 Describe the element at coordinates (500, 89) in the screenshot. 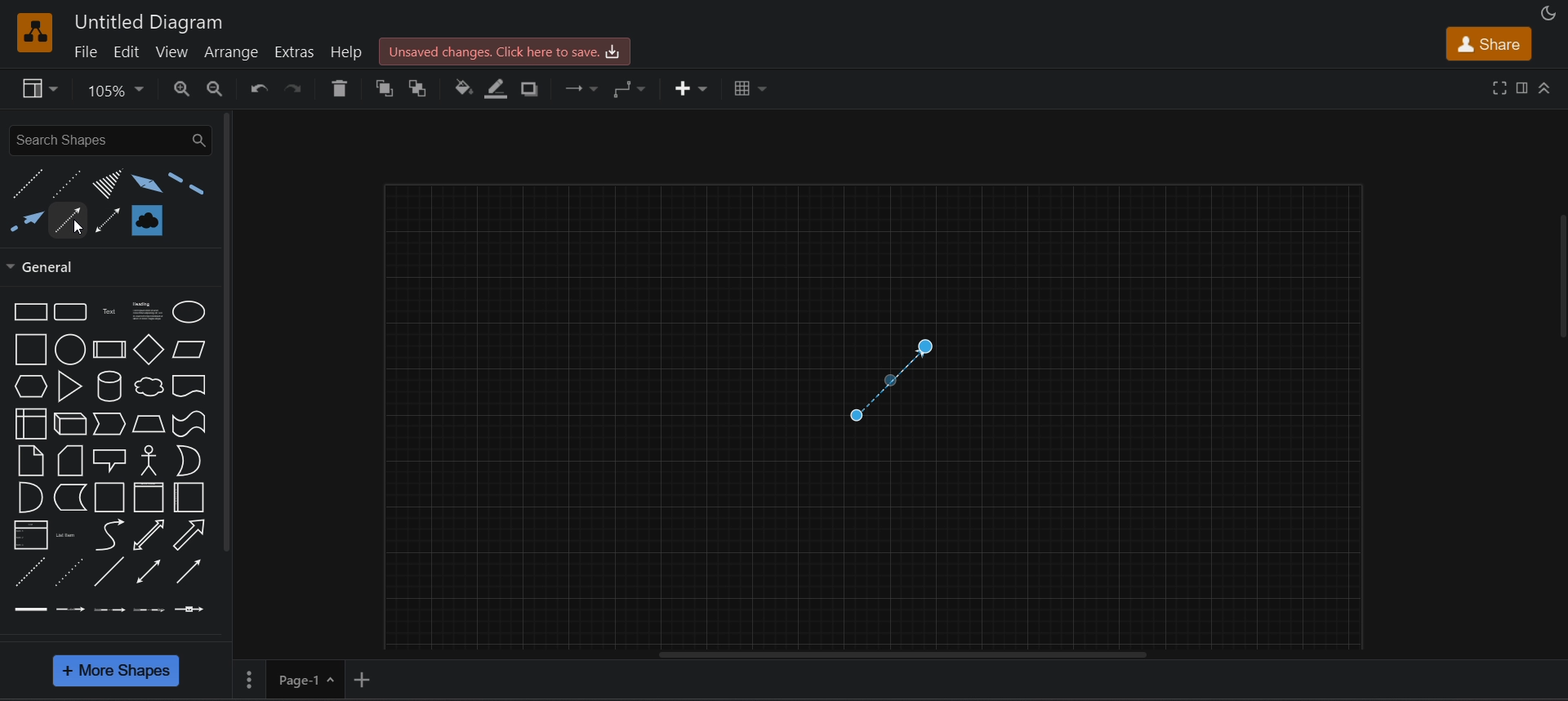

I see `line color` at that location.